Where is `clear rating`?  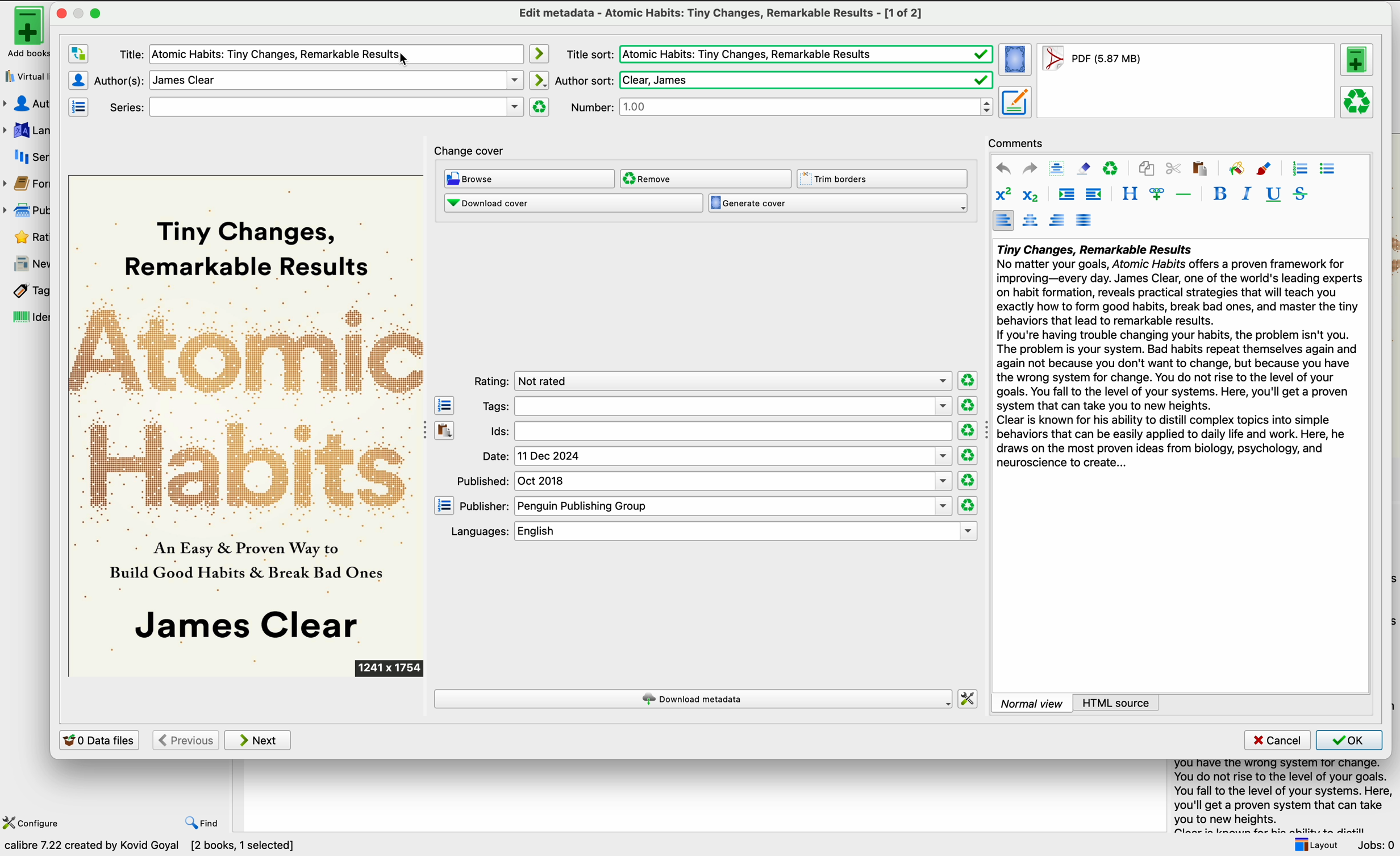 clear rating is located at coordinates (968, 505).